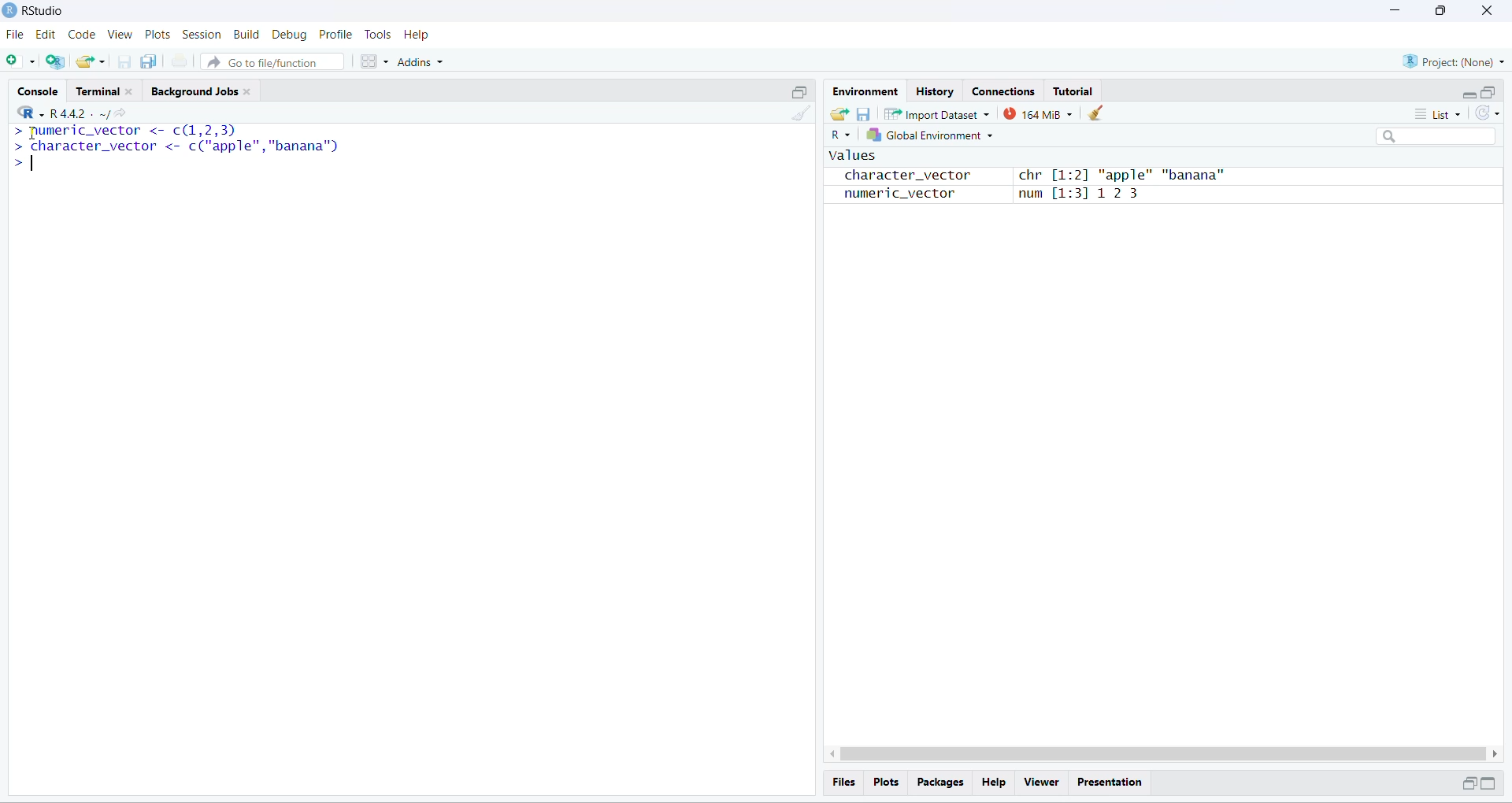 The width and height of the screenshot is (1512, 803). Describe the element at coordinates (150, 61) in the screenshot. I see `save all open document` at that location.